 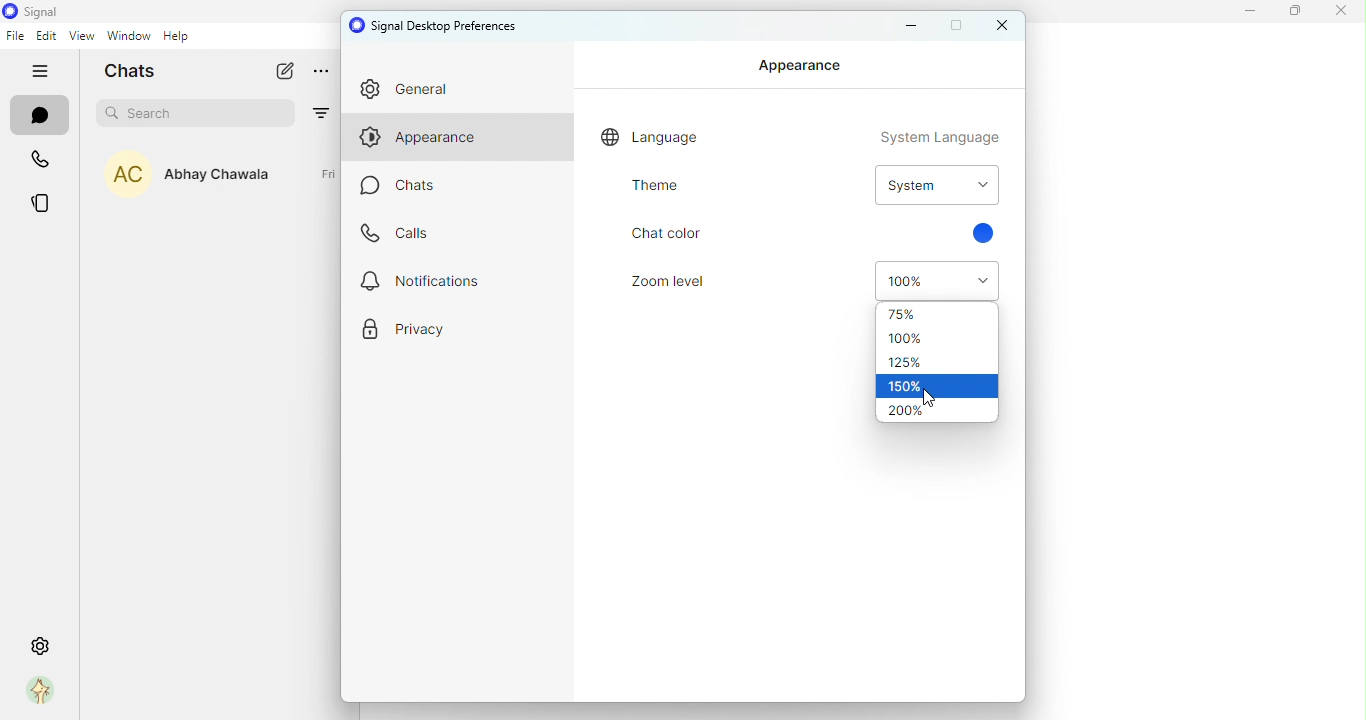 What do you see at coordinates (419, 188) in the screenshot?
I see `chats` at bounding box center [419, 188].